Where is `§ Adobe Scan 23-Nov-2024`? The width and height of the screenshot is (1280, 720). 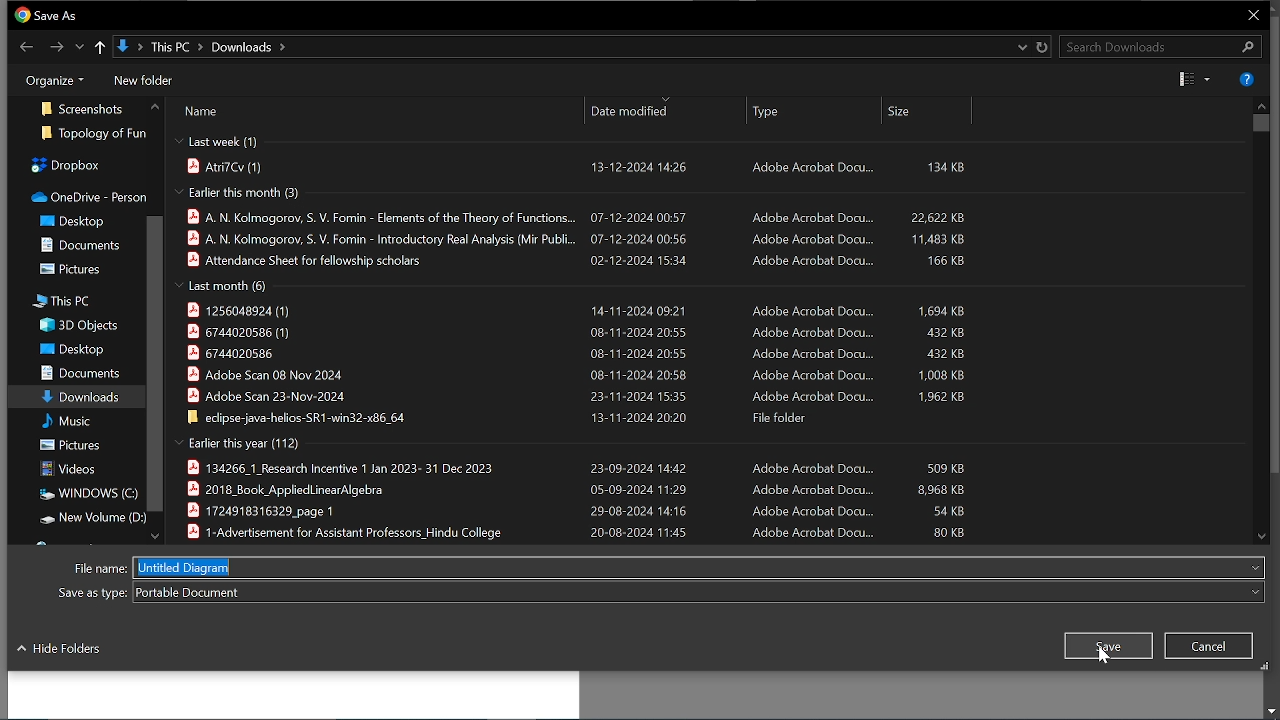
§ Adobe Scan 23-Nov-2024 is located at coordinates (268, 395).